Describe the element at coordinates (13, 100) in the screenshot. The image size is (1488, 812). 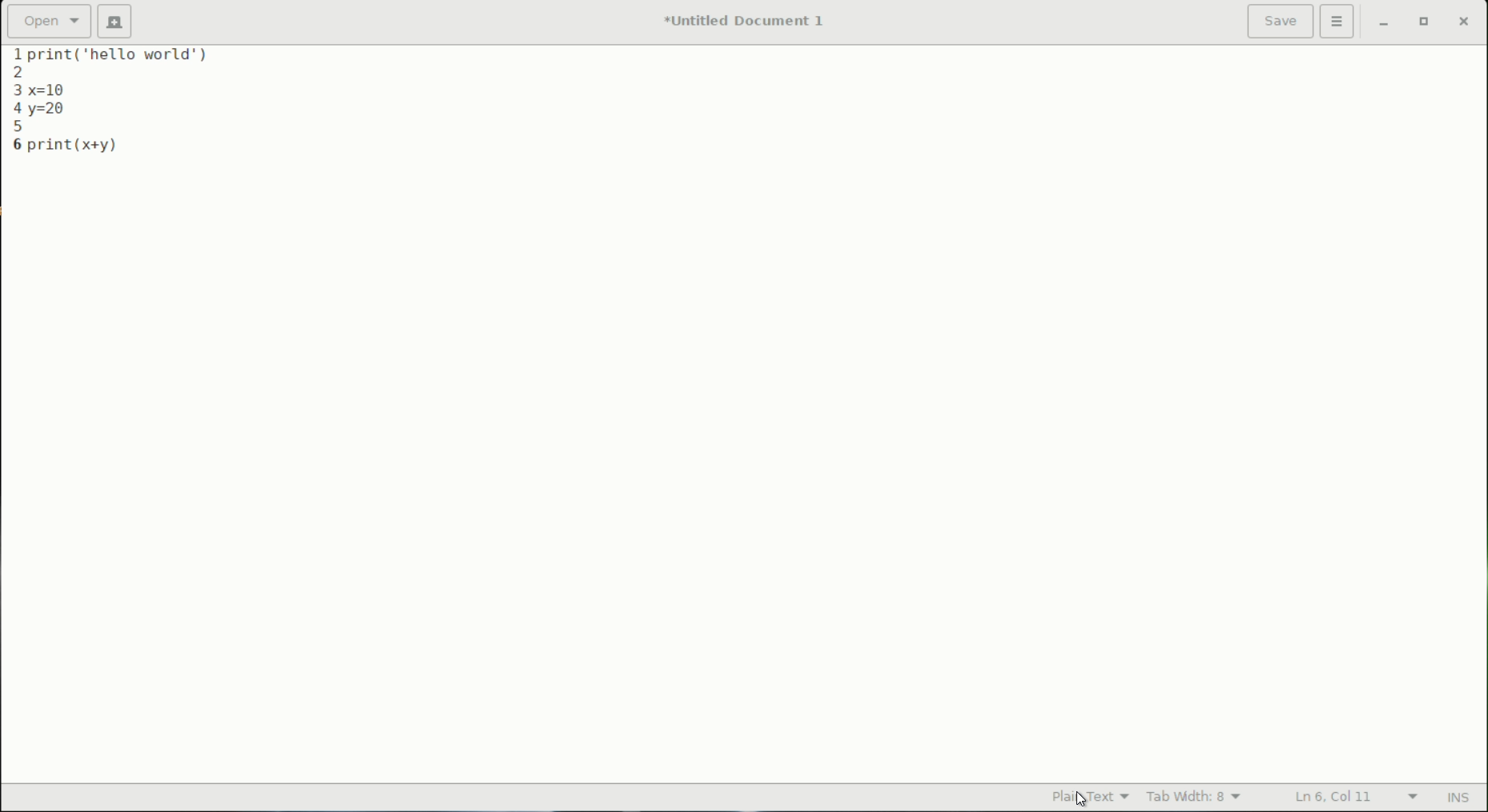
I see `line numbers` at that location.